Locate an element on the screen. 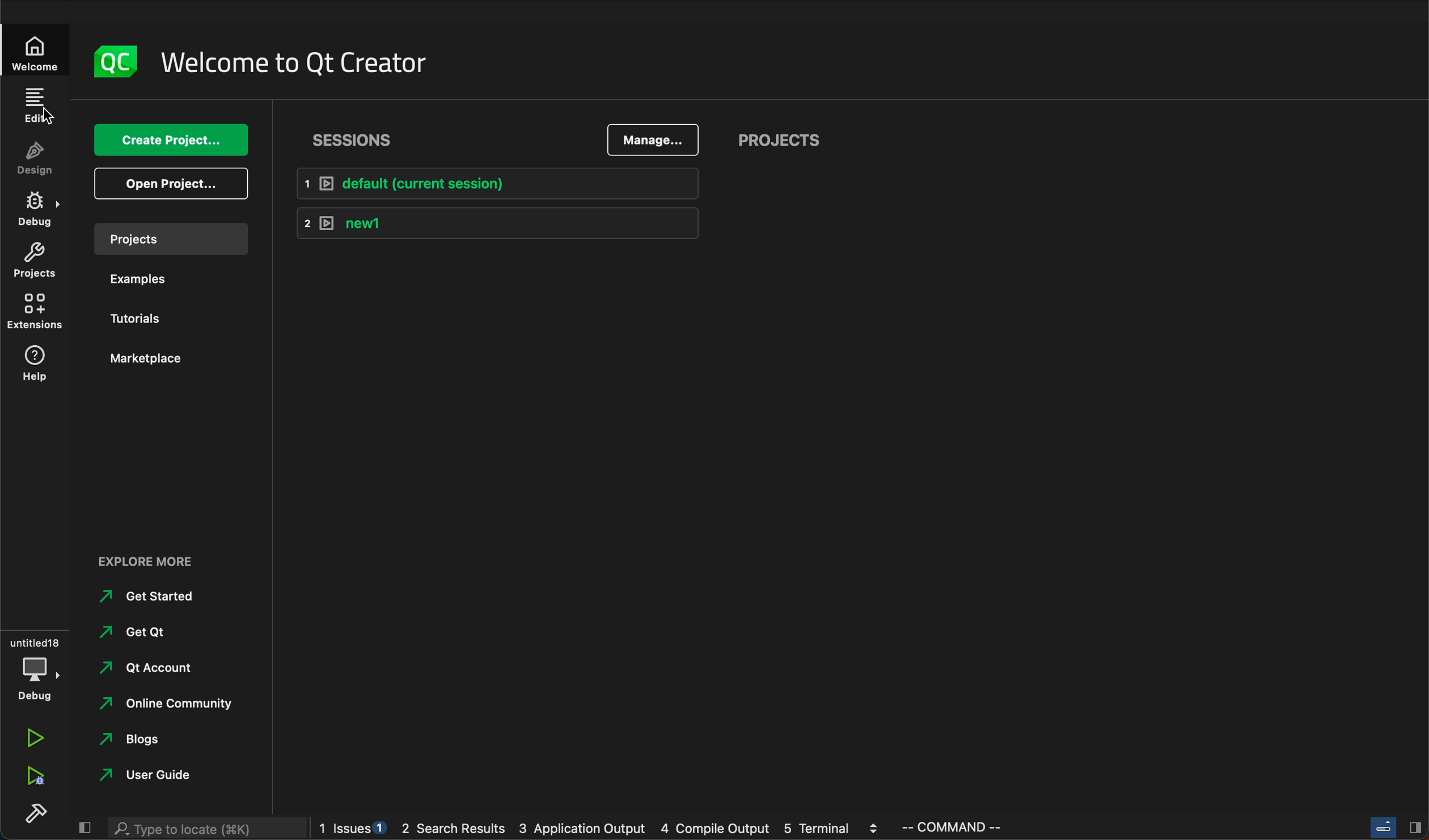 The image size is (1429, 840). run debug is located at coordinates (37, 775).